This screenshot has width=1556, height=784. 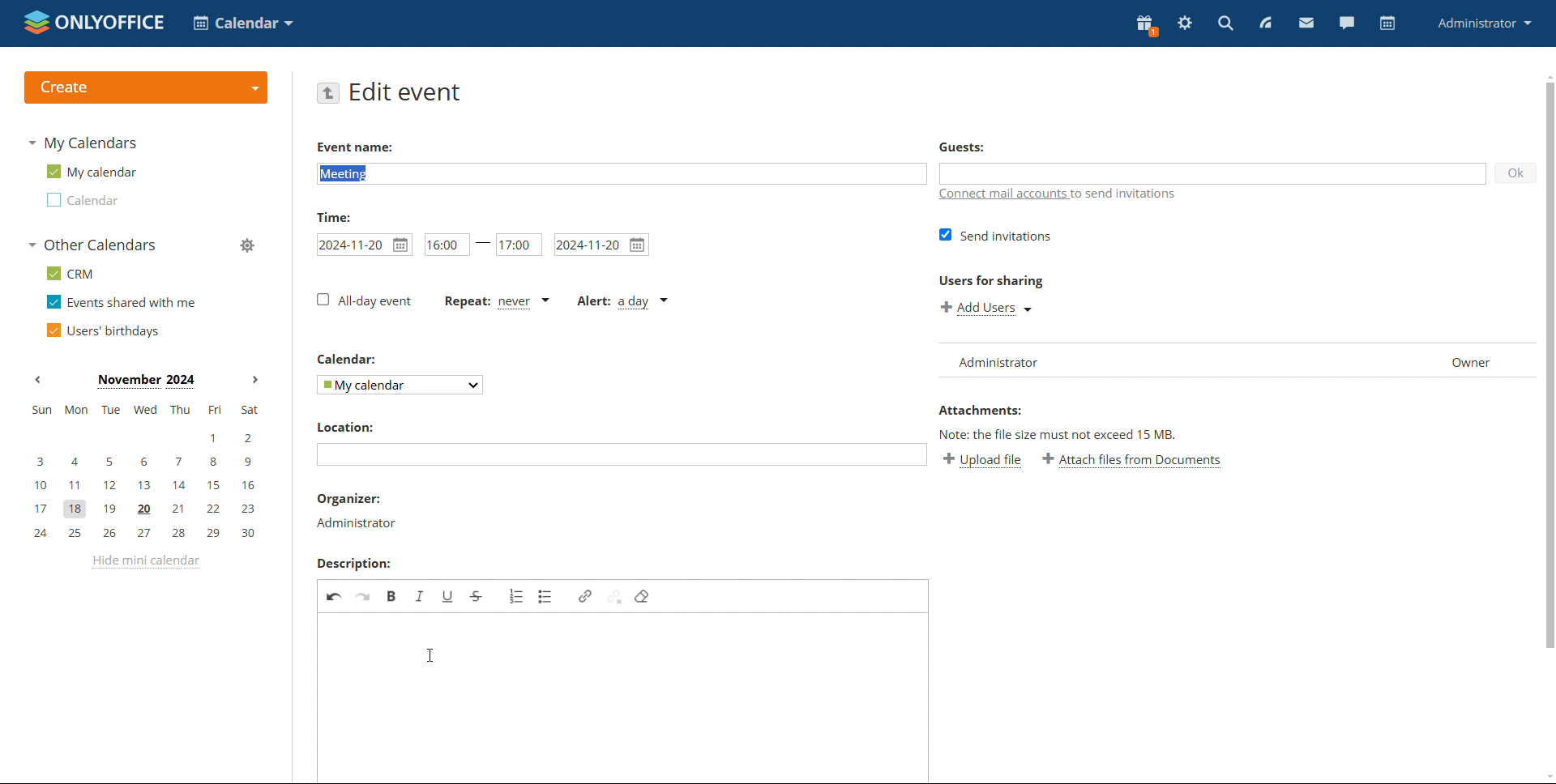 I want to click on time, so click(x=336, y=215).